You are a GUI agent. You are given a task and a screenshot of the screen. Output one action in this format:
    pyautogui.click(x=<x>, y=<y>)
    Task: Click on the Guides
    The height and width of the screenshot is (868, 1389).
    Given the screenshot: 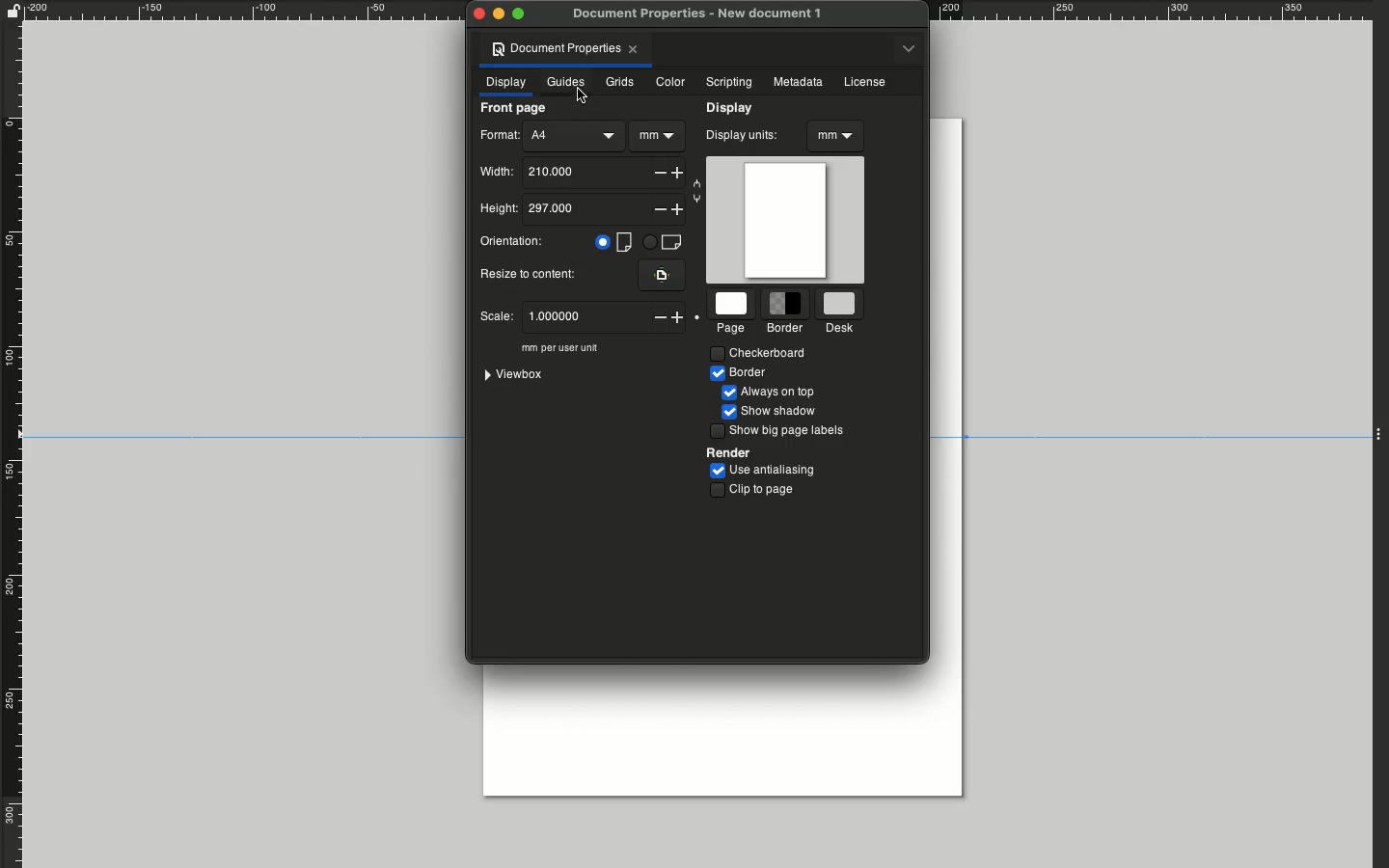 What is the action you would take?
    pyautogui.click(x=565, y=82)
    